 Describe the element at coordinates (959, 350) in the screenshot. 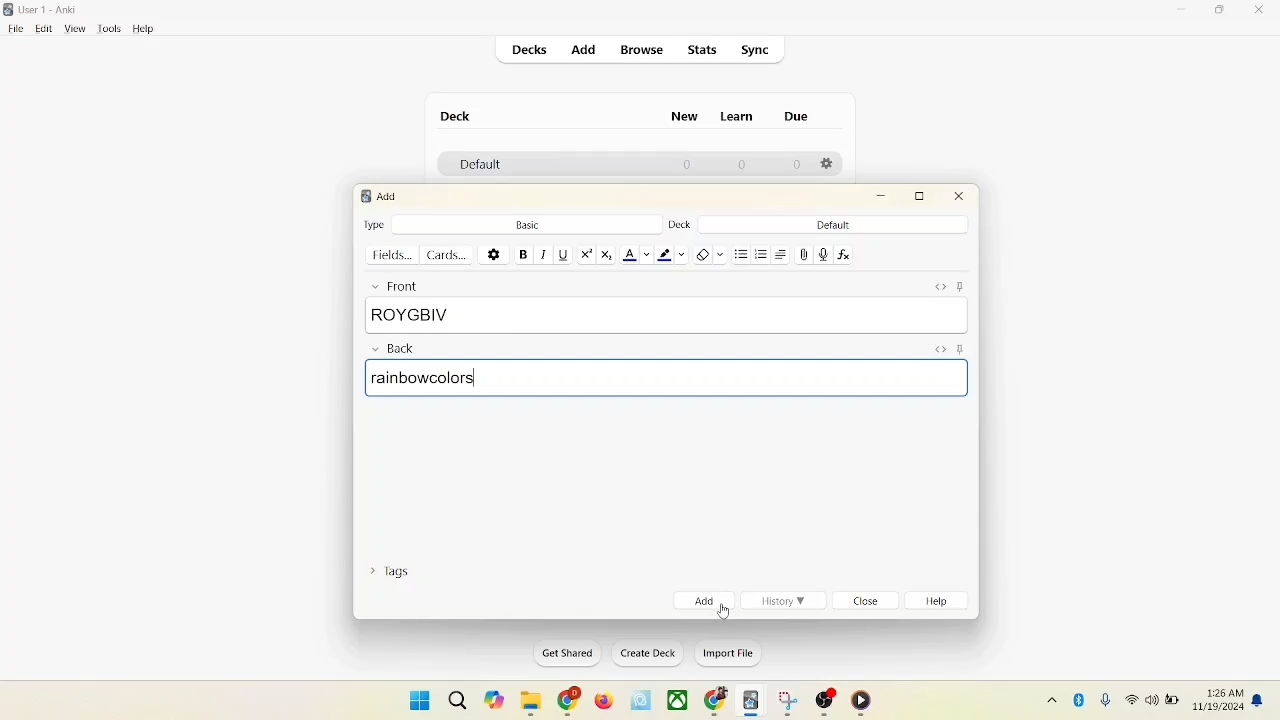

I see `sticky` at that location.